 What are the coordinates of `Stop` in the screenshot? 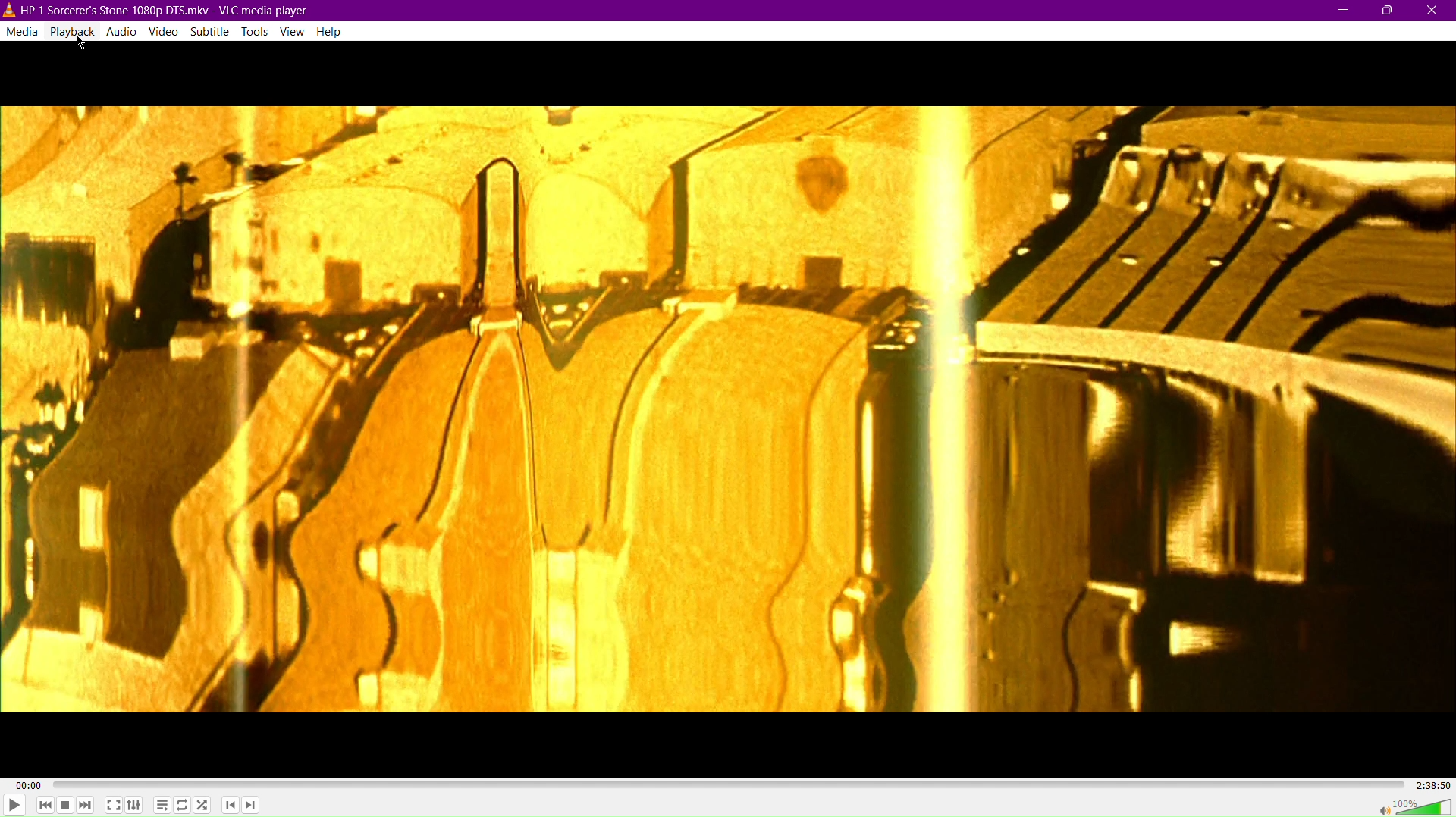 It's located at (66, 806).